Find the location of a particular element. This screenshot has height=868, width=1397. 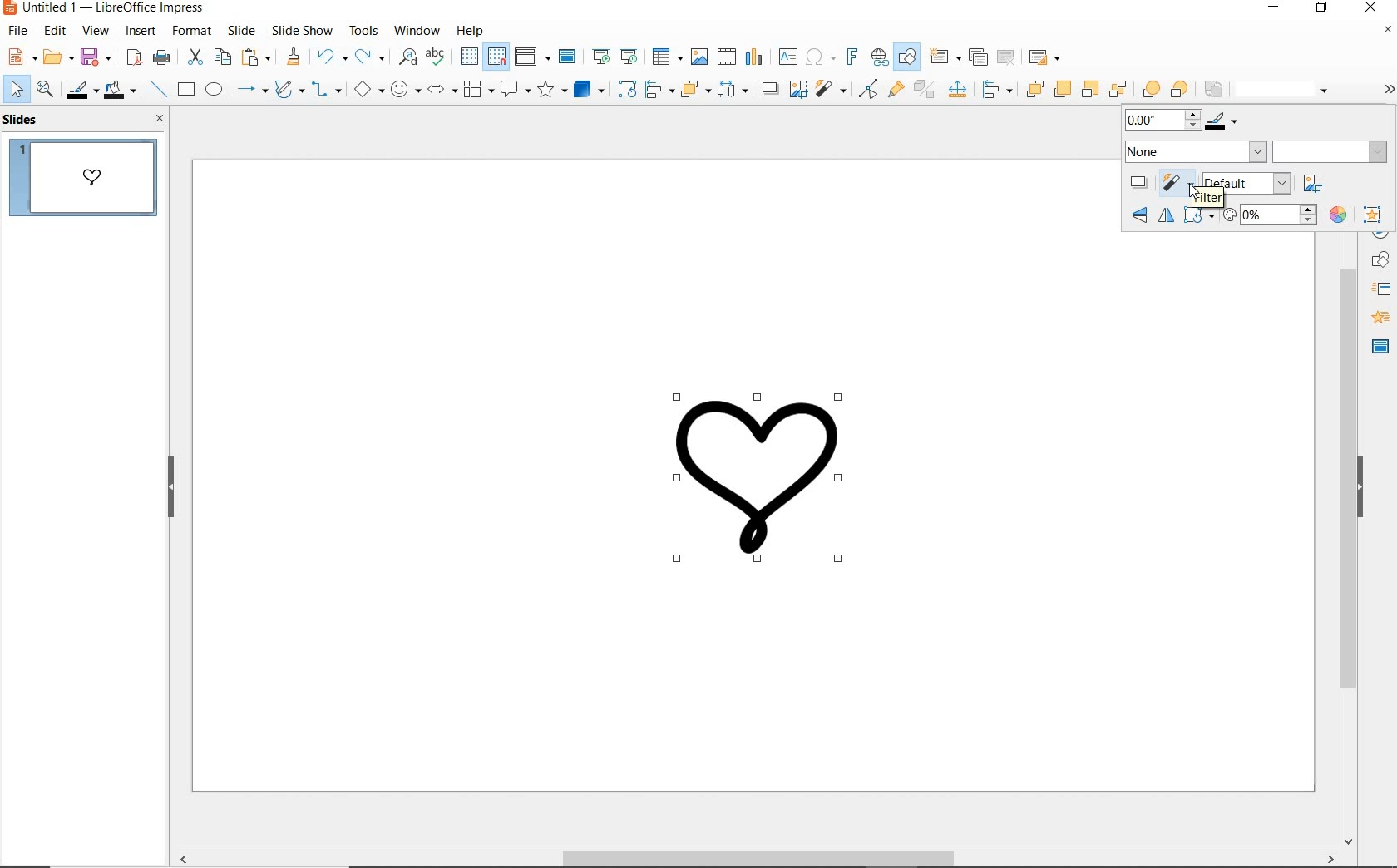

HIDE is located at coordinates (1361, 489).